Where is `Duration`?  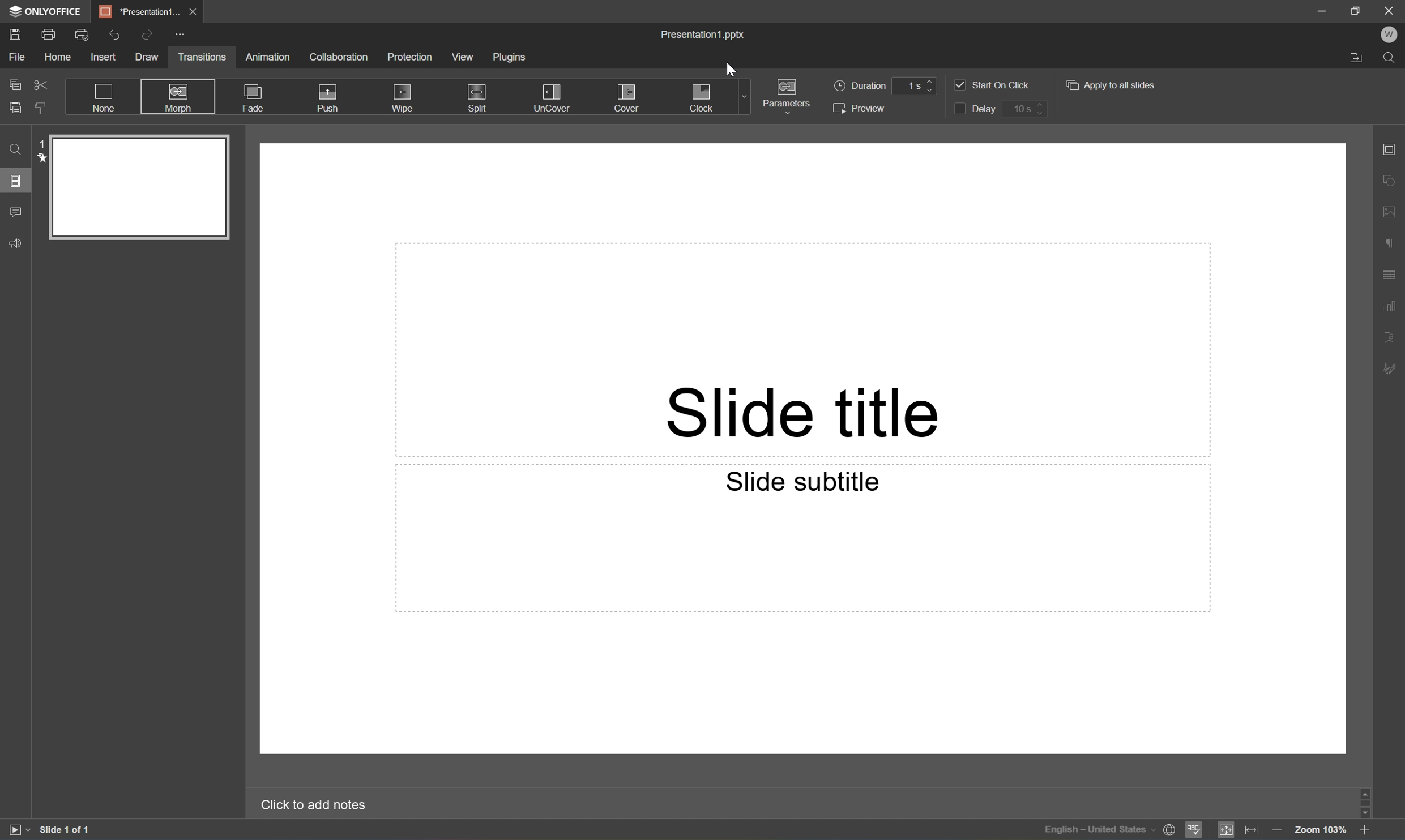 Duration is located at coordinates (860, 85).